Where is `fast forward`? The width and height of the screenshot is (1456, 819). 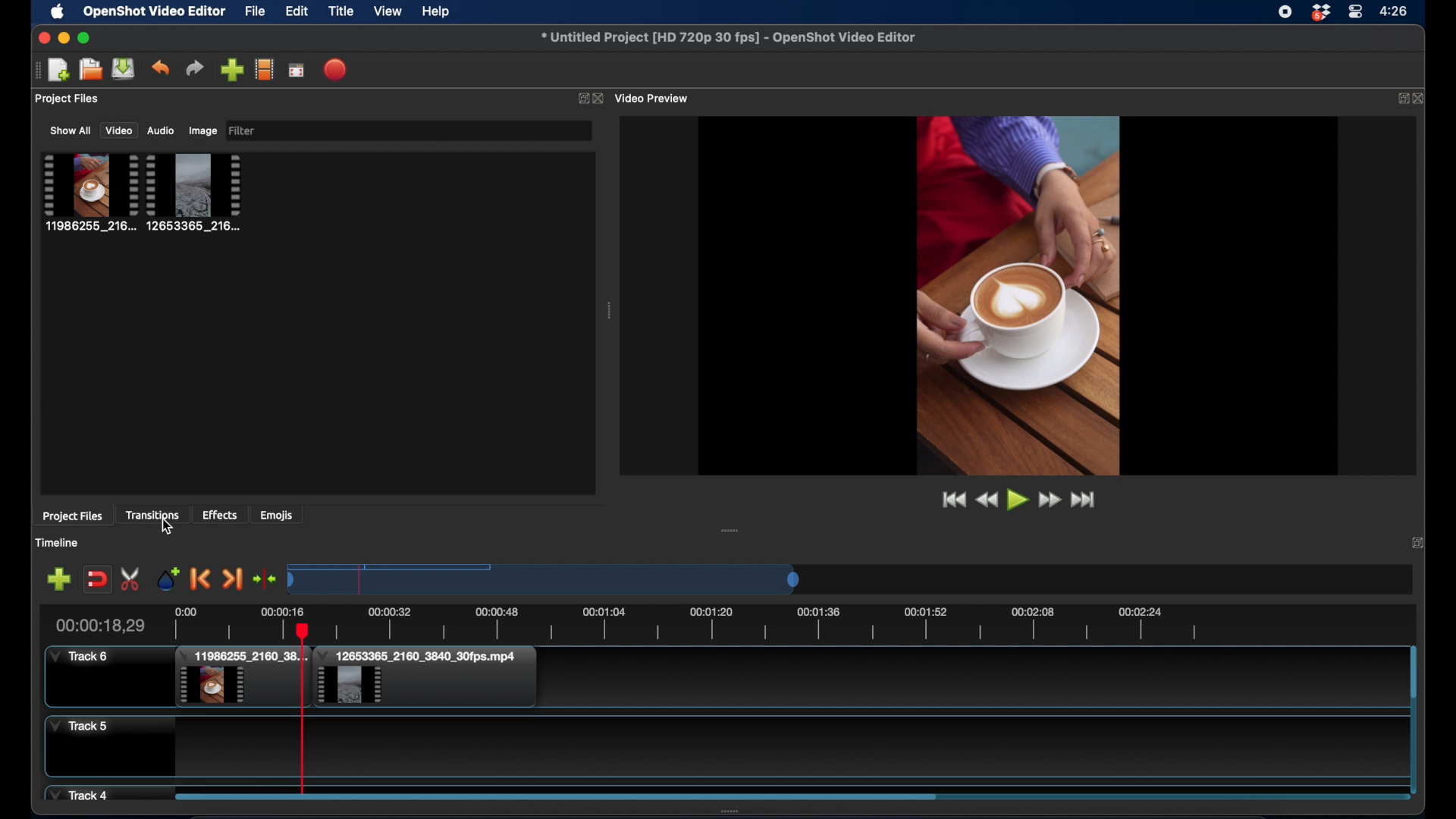 fast forward is located at coordinates (1049, 500).